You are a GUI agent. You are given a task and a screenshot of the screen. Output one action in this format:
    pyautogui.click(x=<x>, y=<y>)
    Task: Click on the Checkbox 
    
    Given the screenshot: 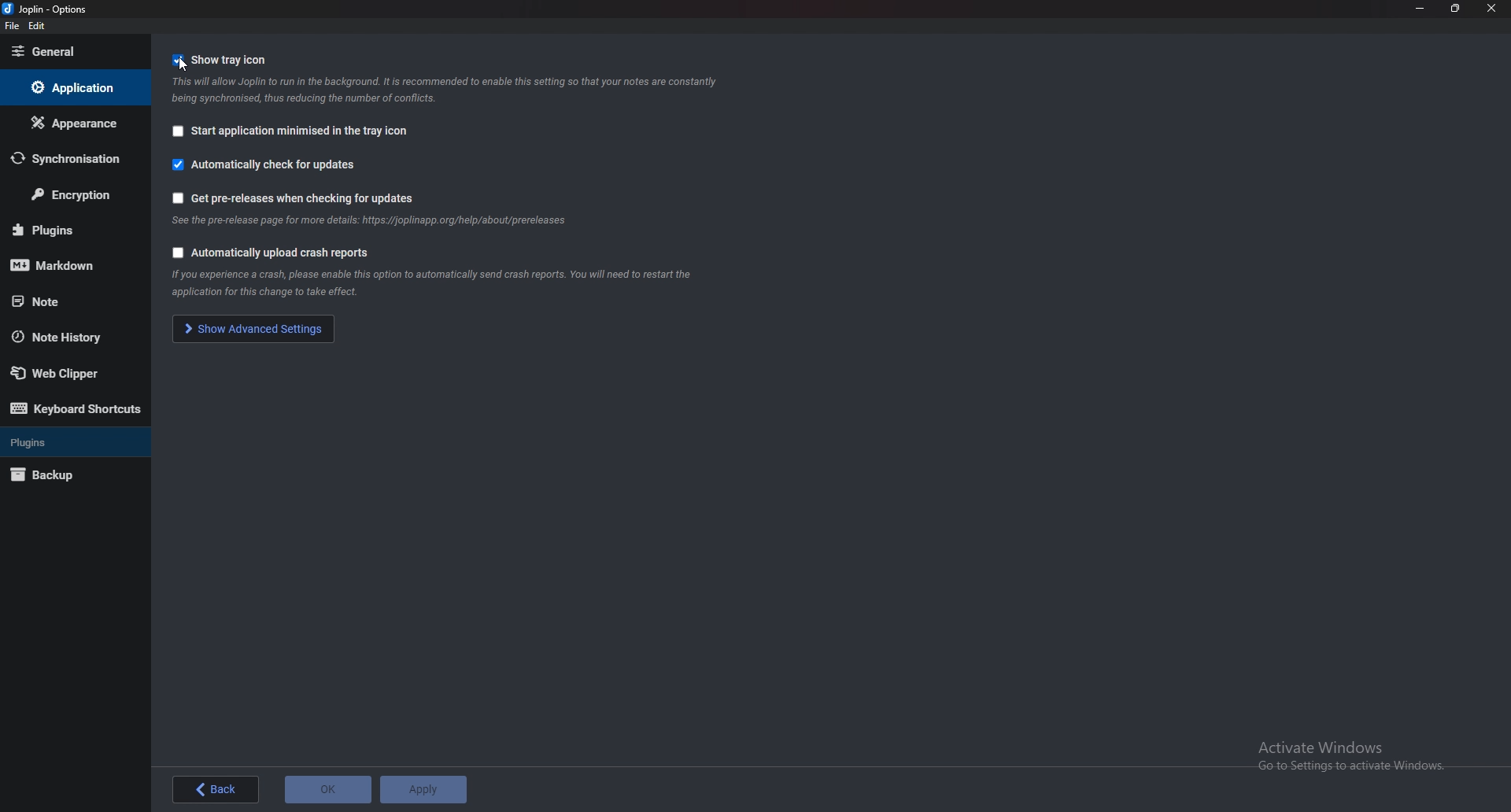 What is the action you would take?
    pyautogui.click(x=177, y=131)
    